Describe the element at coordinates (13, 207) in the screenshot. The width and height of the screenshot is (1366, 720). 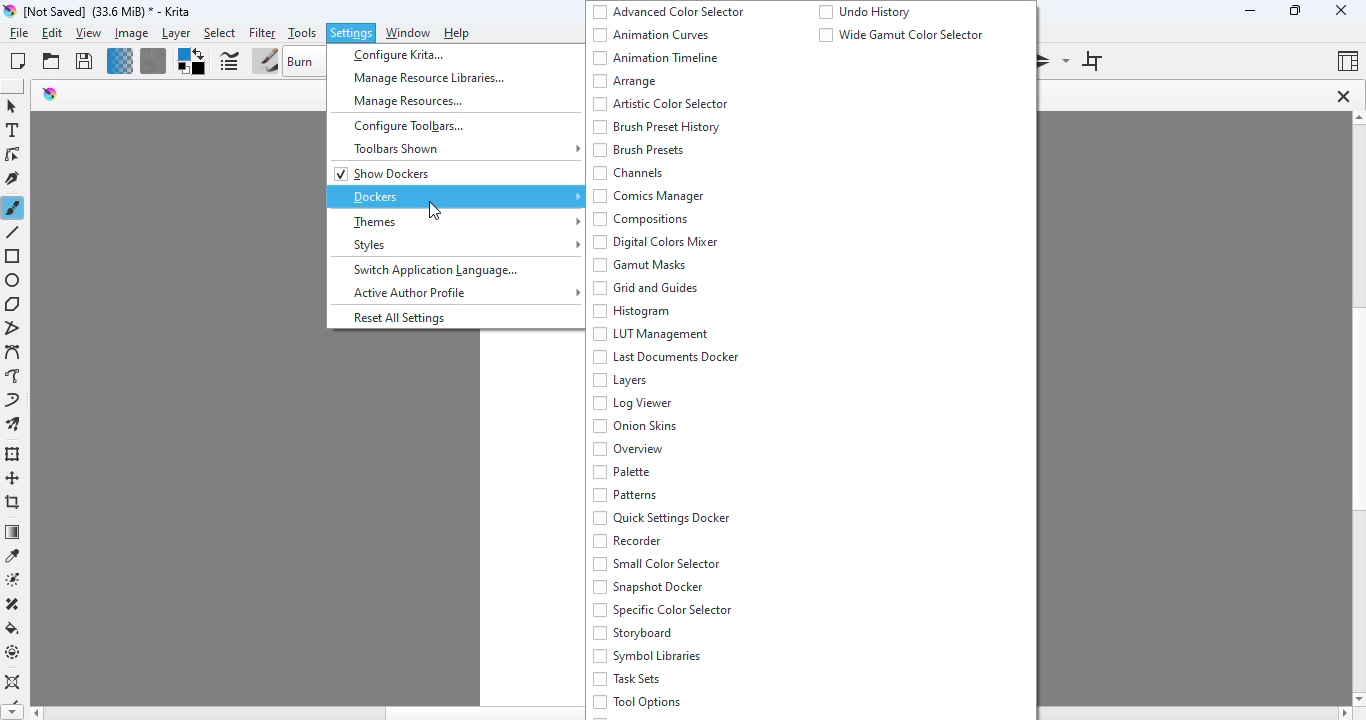
I see `freehand brush tool` at that location.